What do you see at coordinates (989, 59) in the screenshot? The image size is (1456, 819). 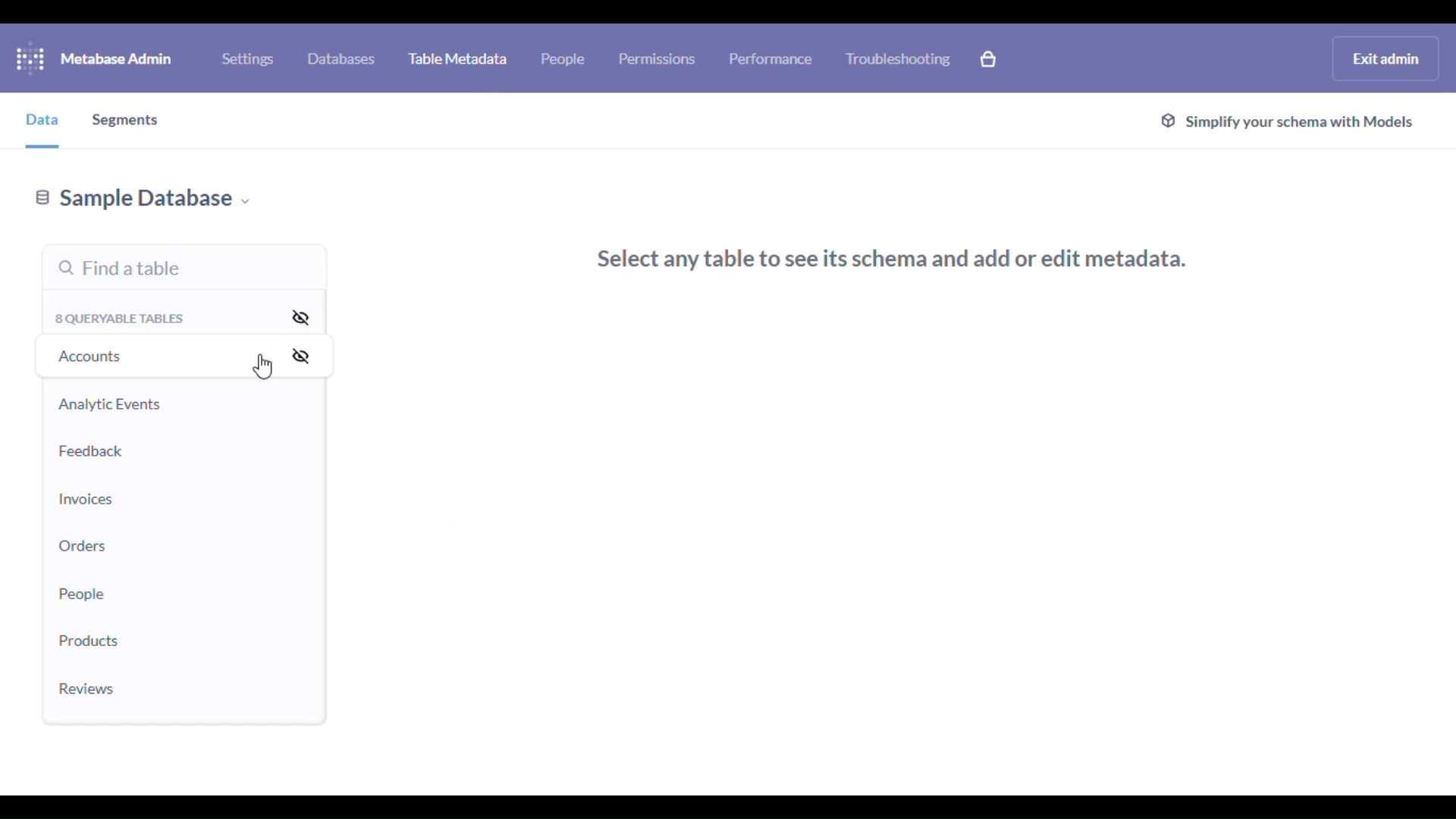 I see `explore paid features` at bounding box center [989, 59].